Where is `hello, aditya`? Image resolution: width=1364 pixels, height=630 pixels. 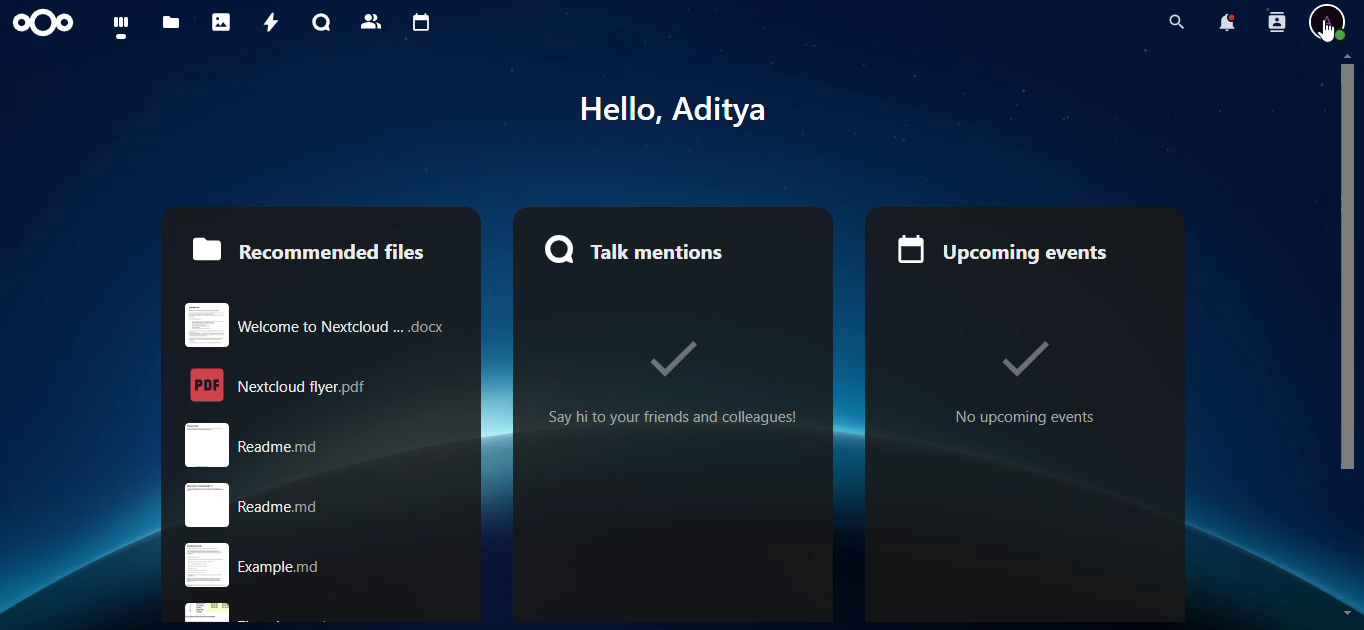 hello, aditya is located at coordinates (692, 108).